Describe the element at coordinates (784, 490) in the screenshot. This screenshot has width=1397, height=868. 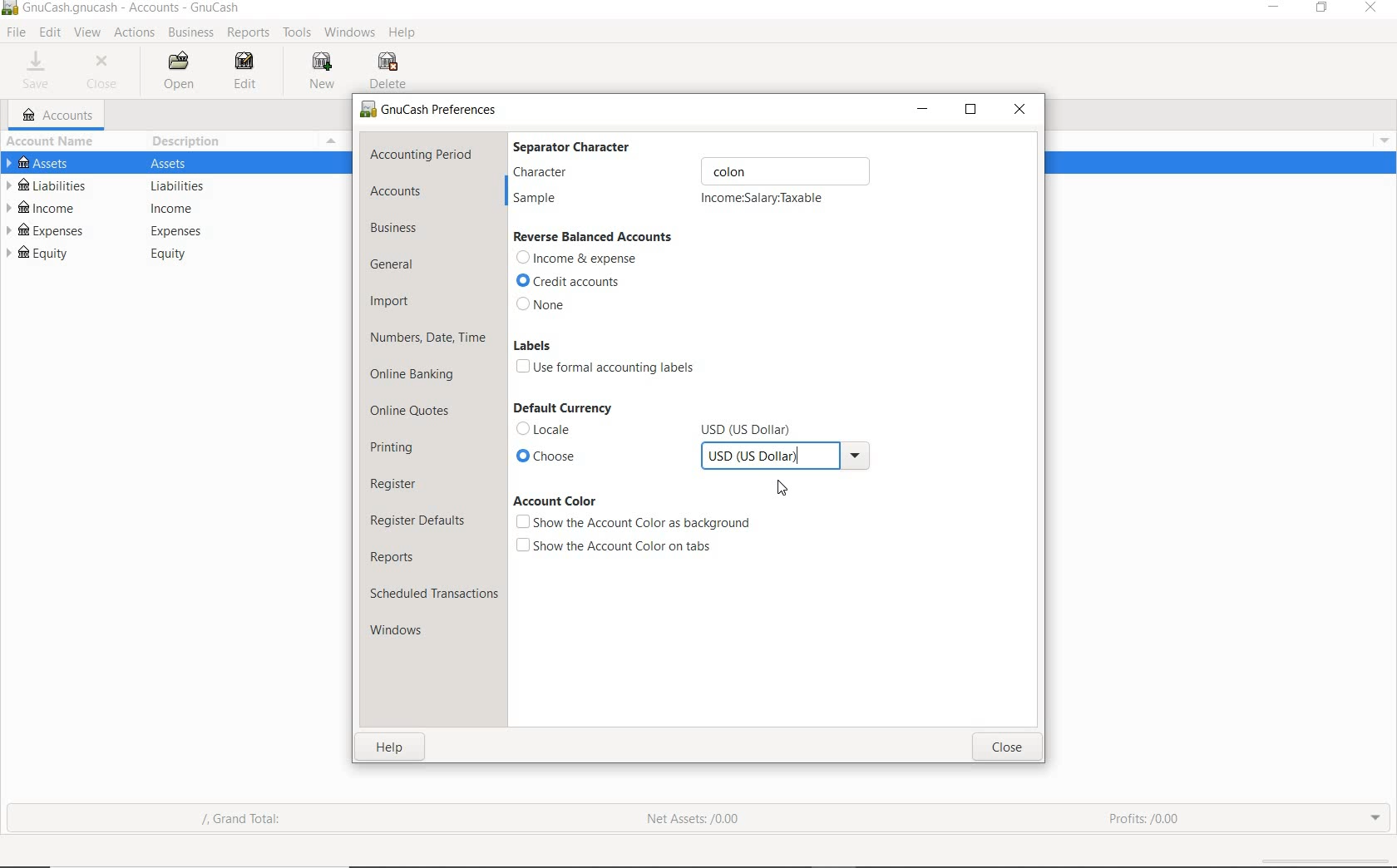
I see `Cursor` at that location.